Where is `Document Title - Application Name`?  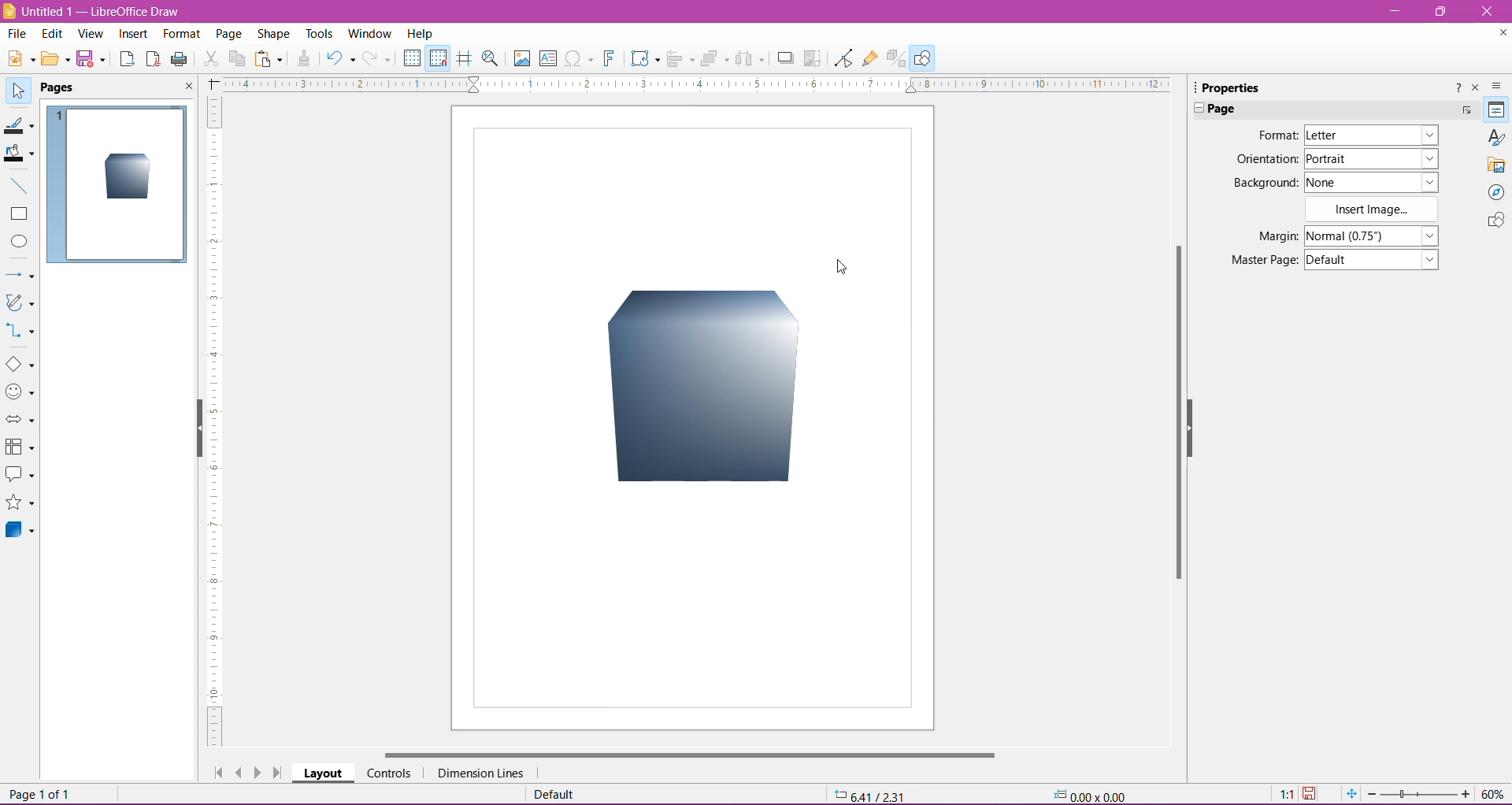 Document Title - Application Name is located at coordinates (94, 11).